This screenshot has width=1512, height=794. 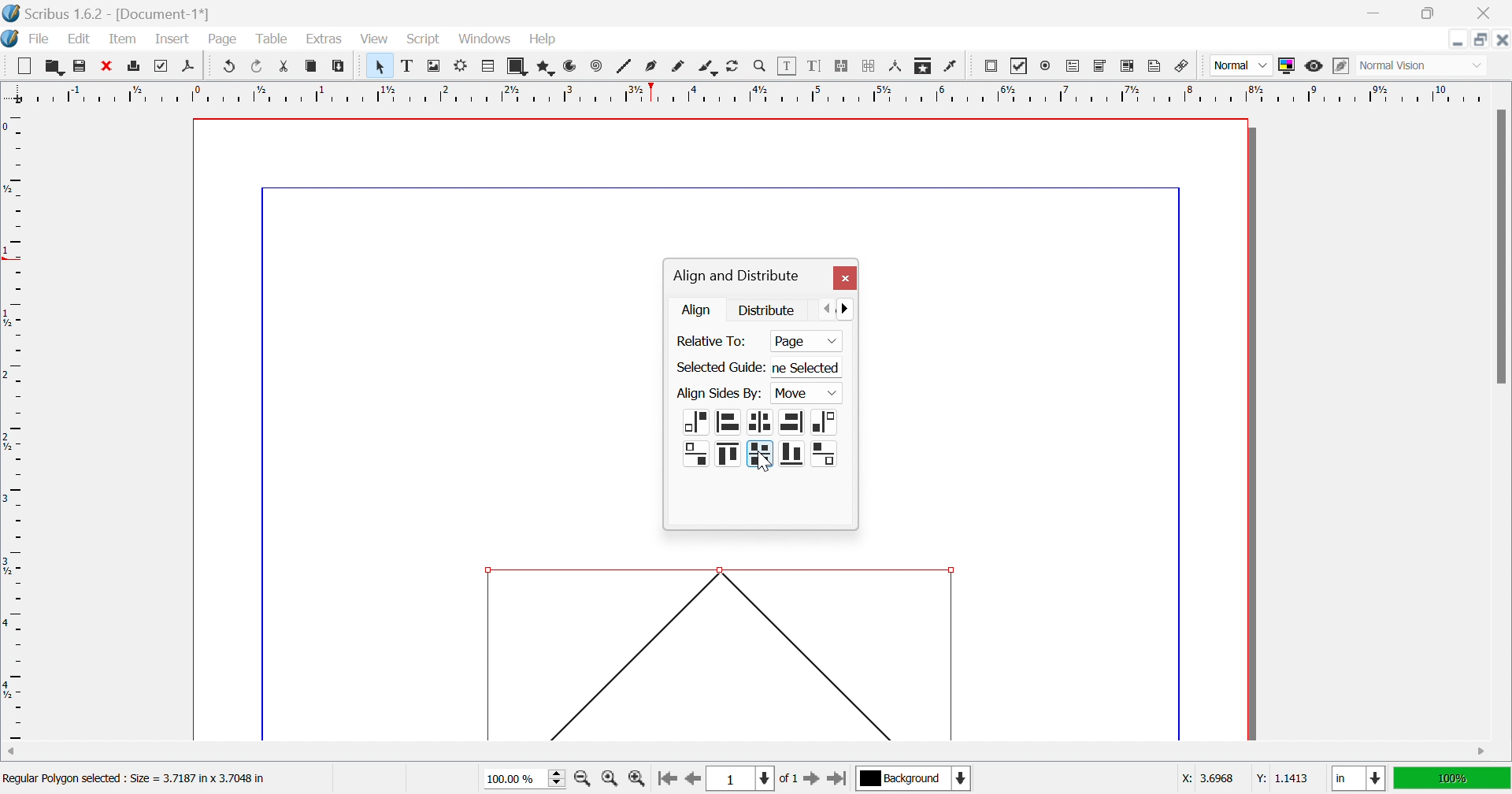 What do you see at coordinates (1481, 39) in the screenshot?
I see `Restore down` at bounding box center [1481, 39].